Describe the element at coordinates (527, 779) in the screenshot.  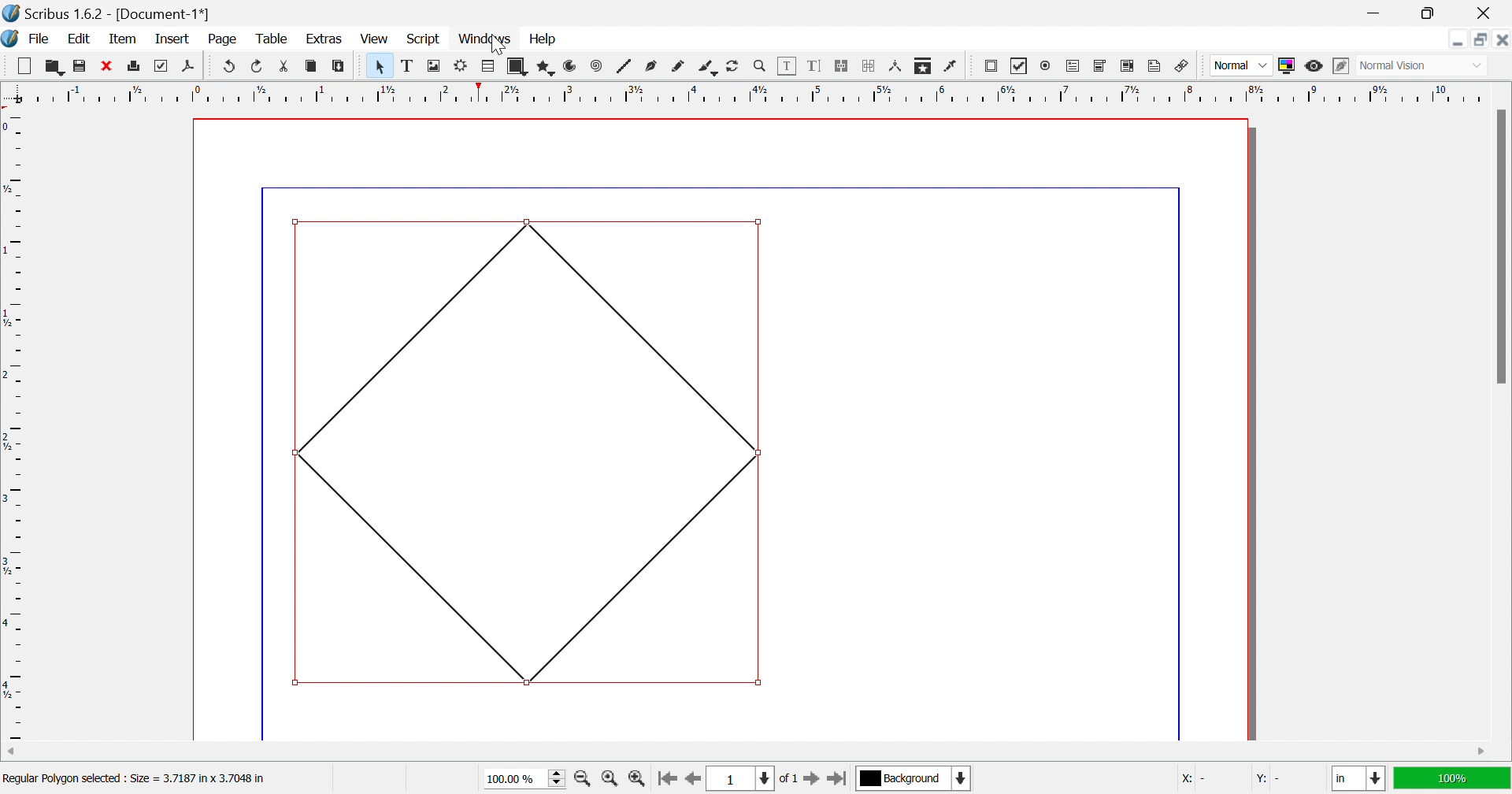
I see `100.00%` at that location.